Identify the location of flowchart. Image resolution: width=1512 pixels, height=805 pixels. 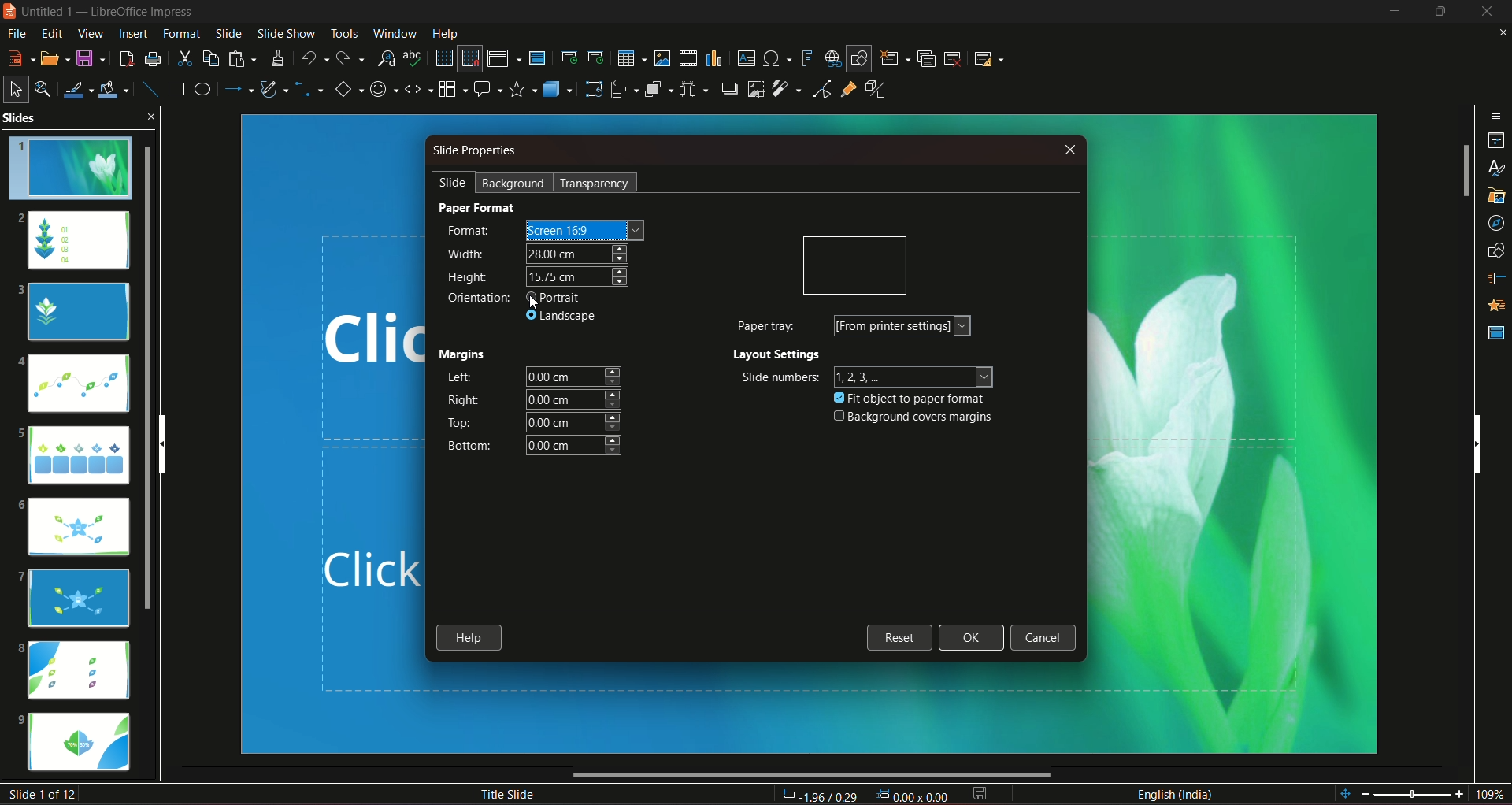
(452, 87).